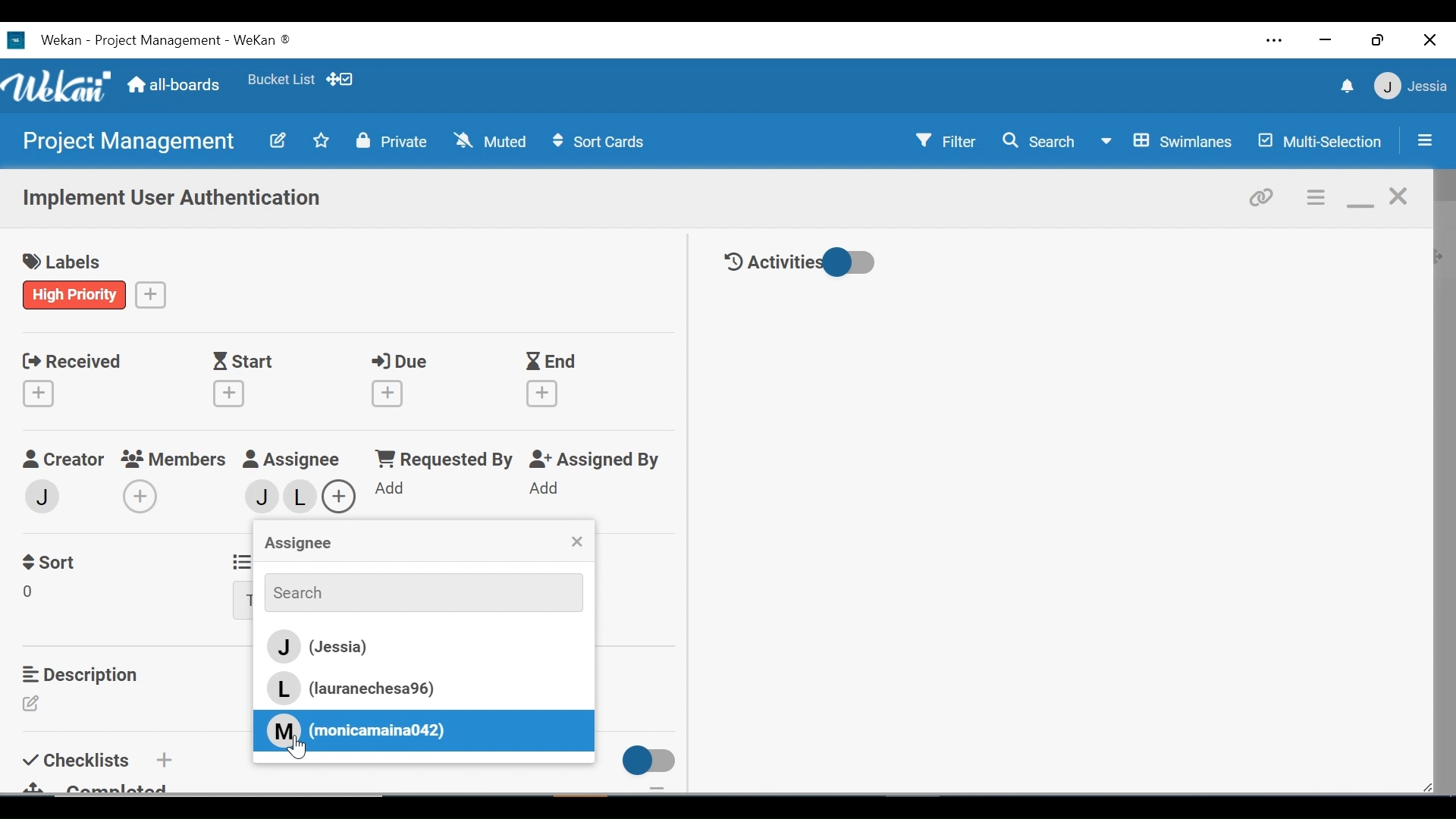 The height and width of the screenshot is (819, 1456). I want to click on Search members, so click(415, 591).